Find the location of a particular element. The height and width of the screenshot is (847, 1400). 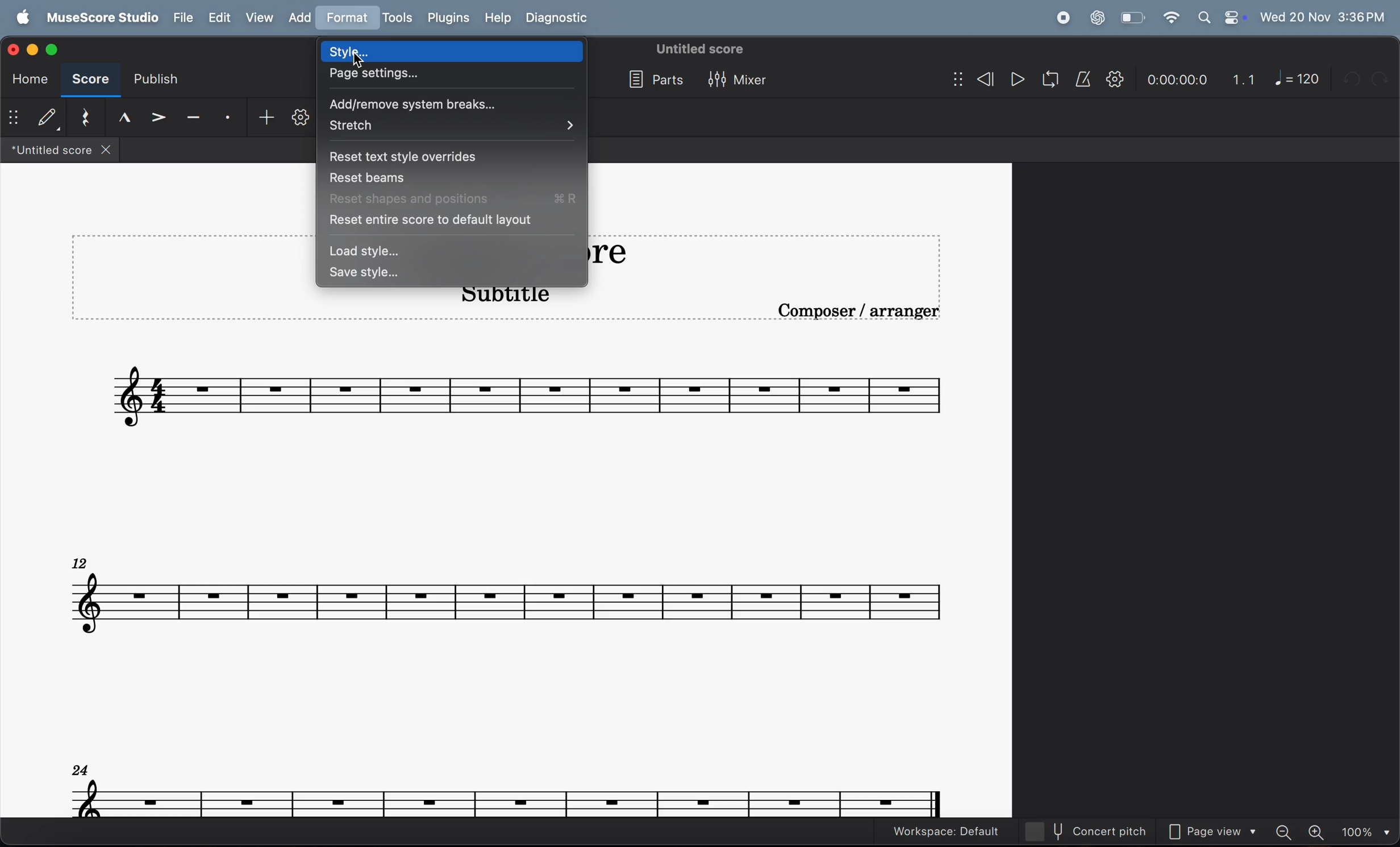

record is located at coordinates (1062, 18).